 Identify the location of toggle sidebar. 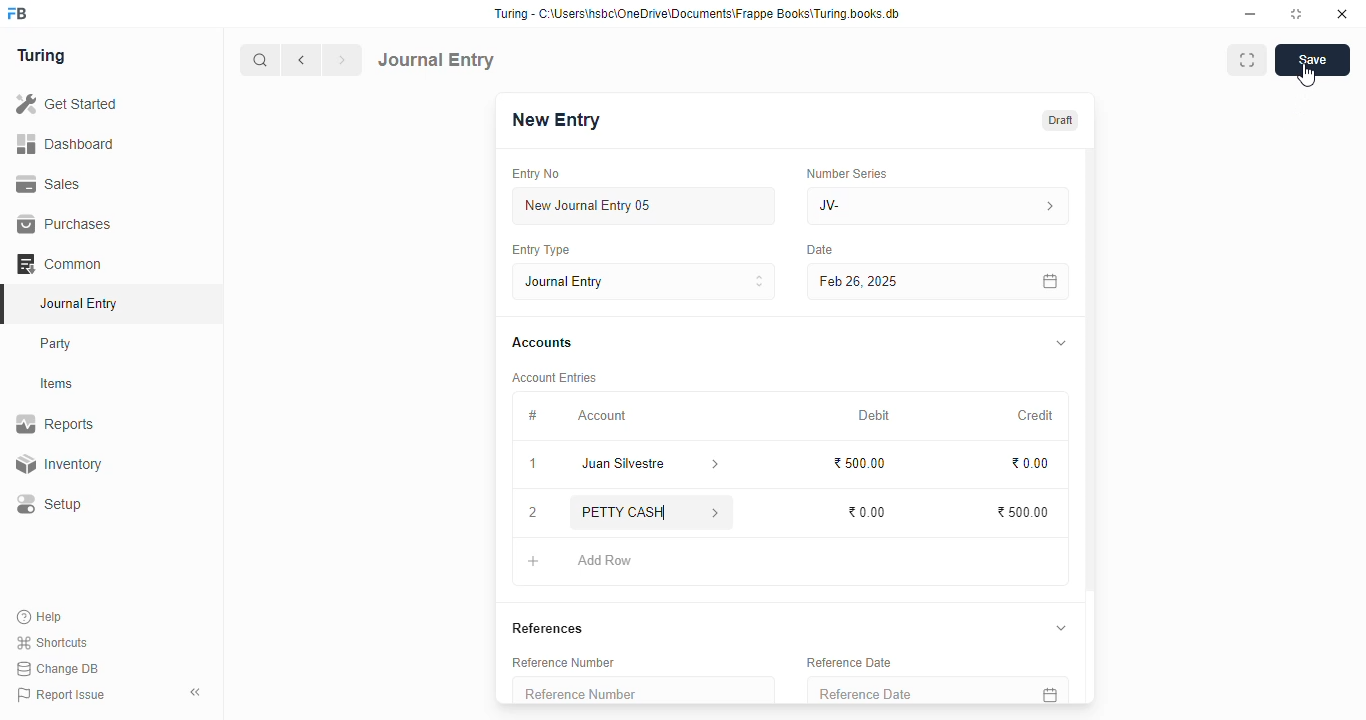
(197, 692).